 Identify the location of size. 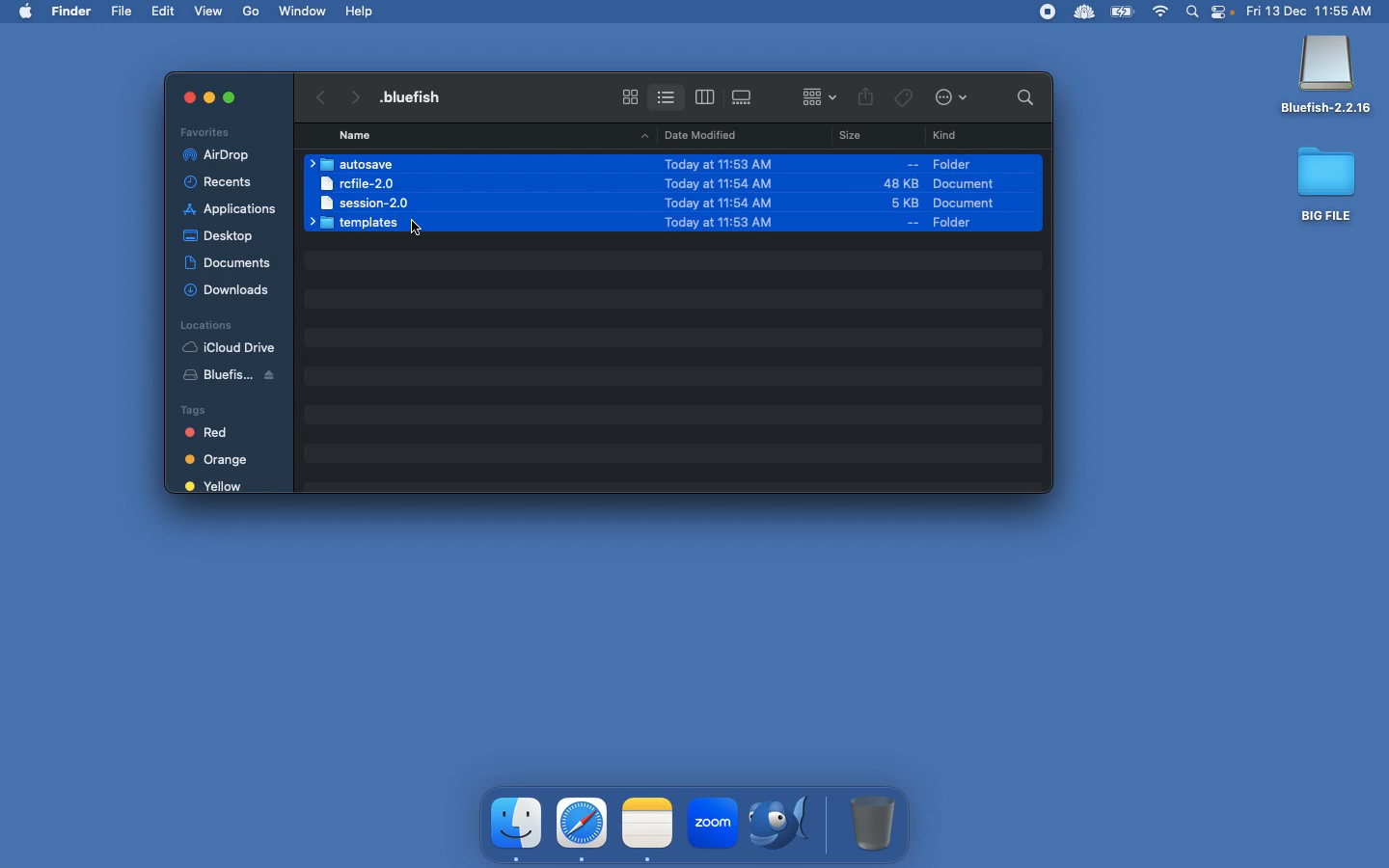
(873, 194).